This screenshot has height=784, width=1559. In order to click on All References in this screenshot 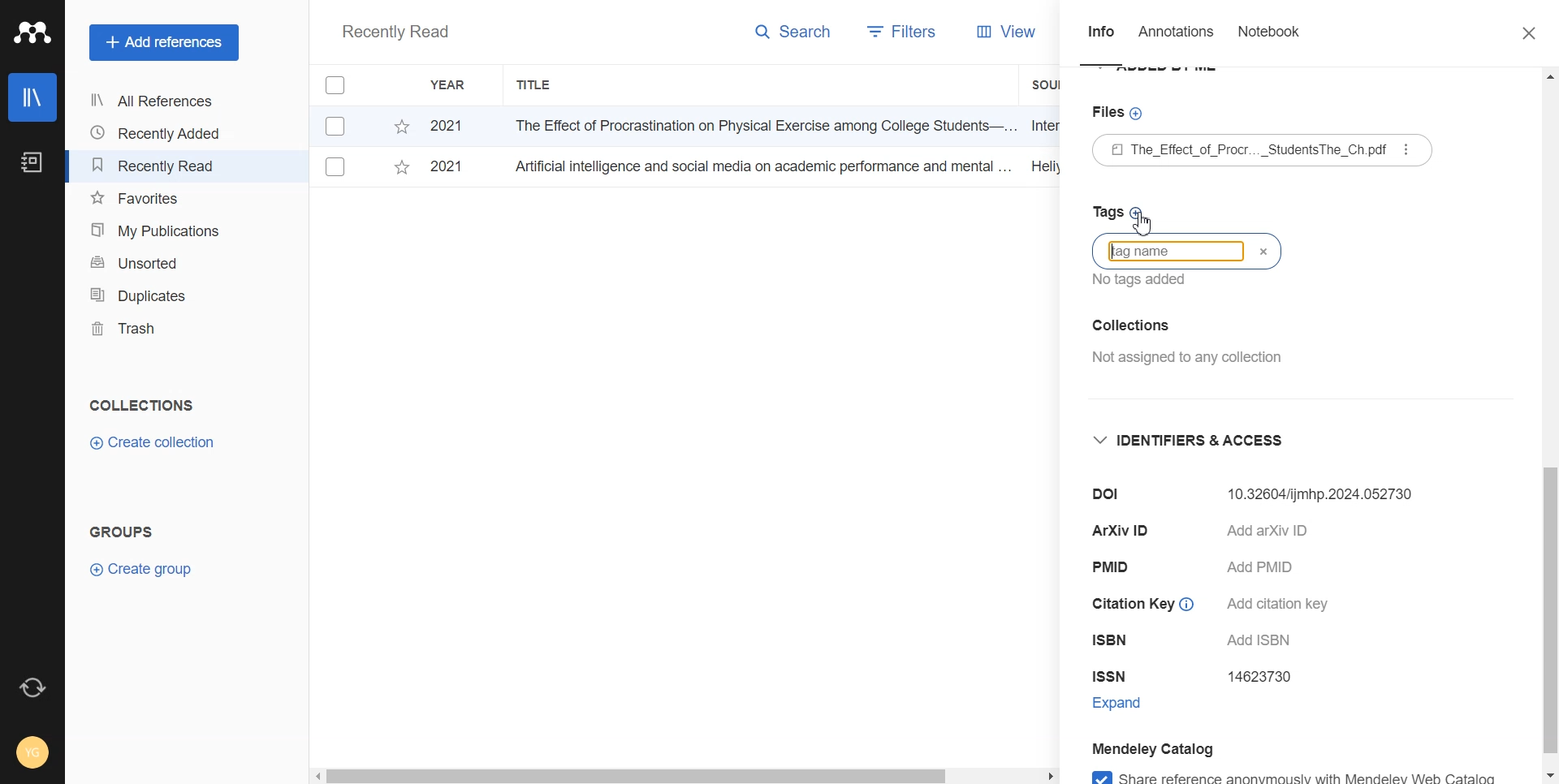, I will do `click(158, 101)`.